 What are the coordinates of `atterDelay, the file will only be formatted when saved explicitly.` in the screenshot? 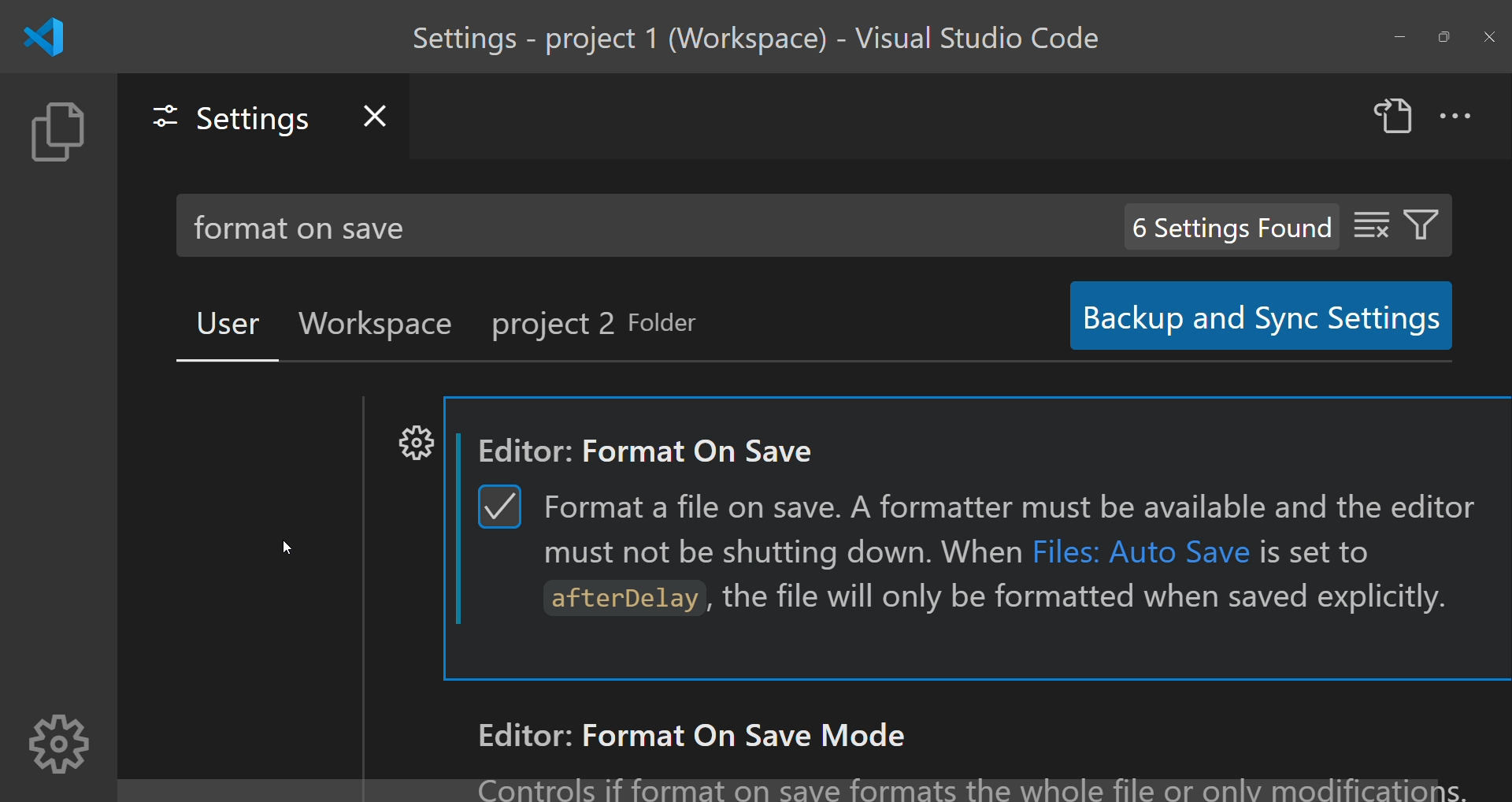 It's located at (1006, 600).